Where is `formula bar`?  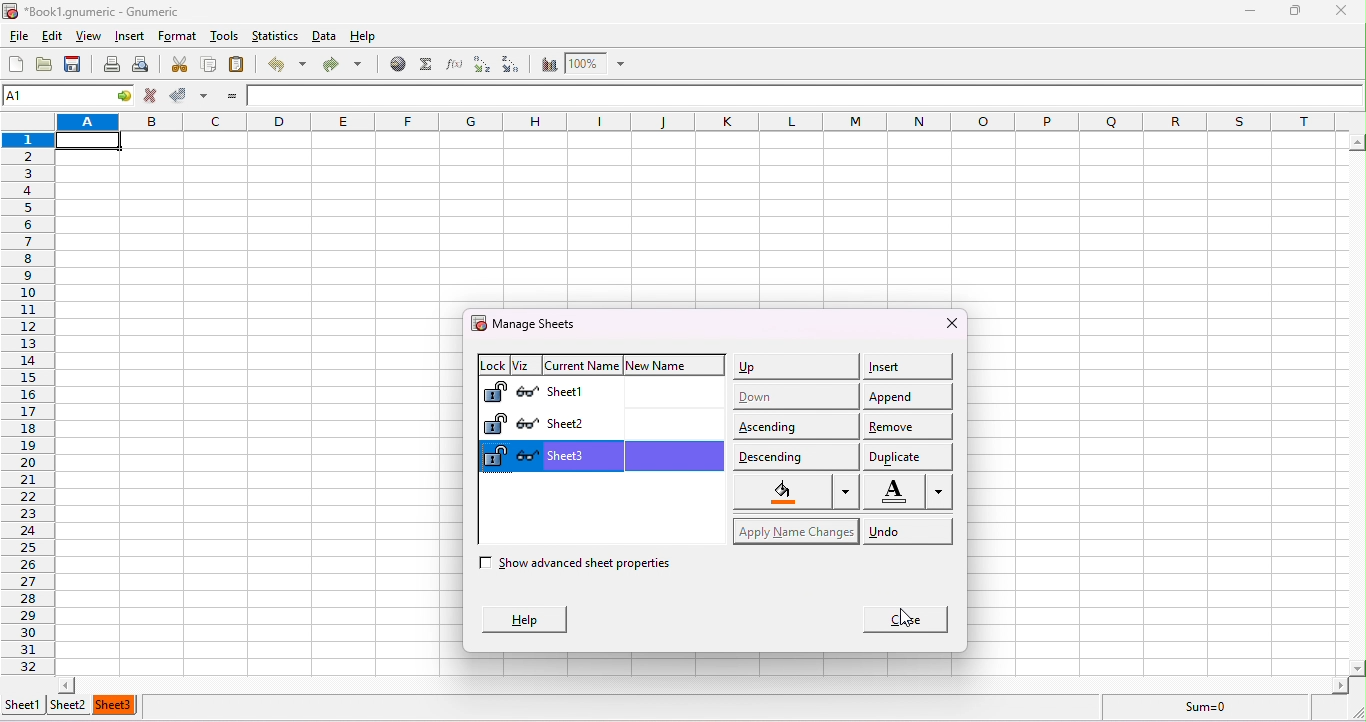 formula bar is located at coordinates (805, 95).